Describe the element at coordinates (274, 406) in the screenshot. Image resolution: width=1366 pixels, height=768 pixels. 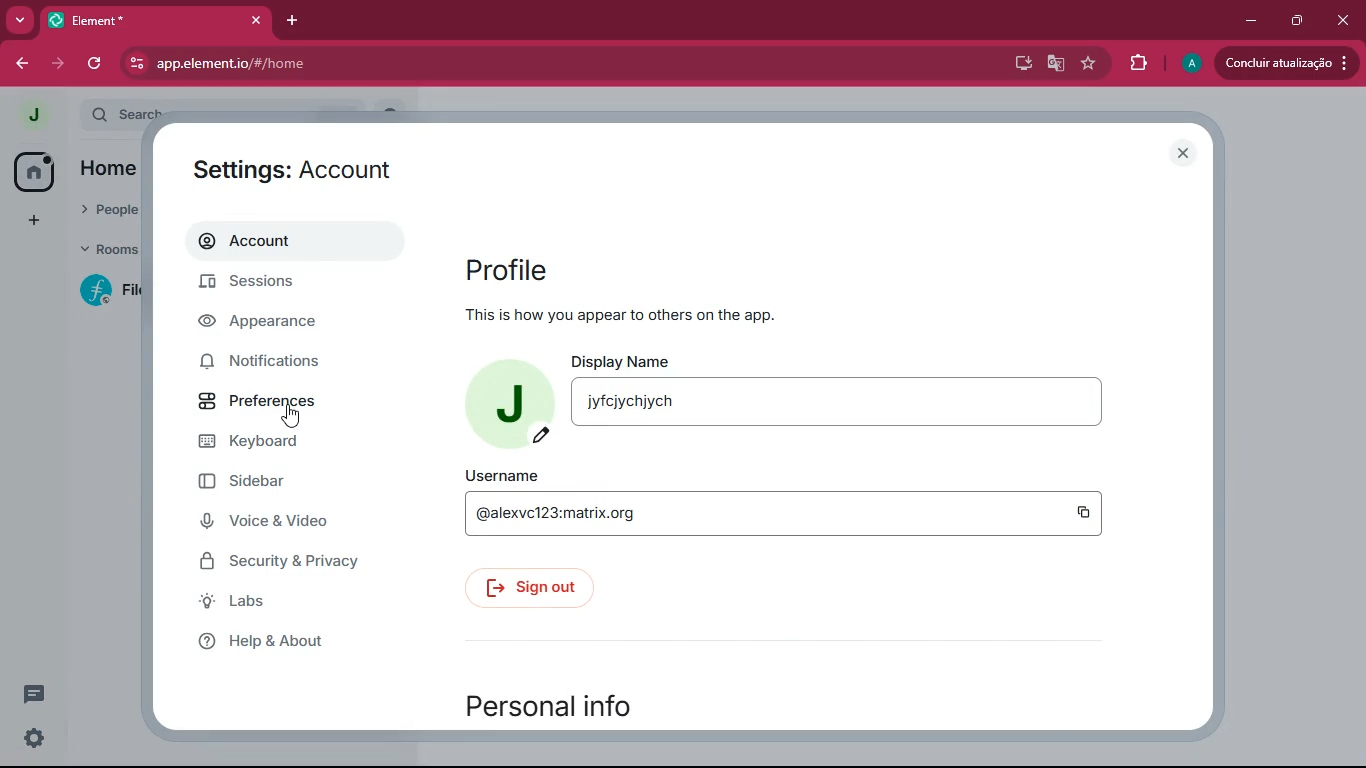
I see `preferences` at that location.